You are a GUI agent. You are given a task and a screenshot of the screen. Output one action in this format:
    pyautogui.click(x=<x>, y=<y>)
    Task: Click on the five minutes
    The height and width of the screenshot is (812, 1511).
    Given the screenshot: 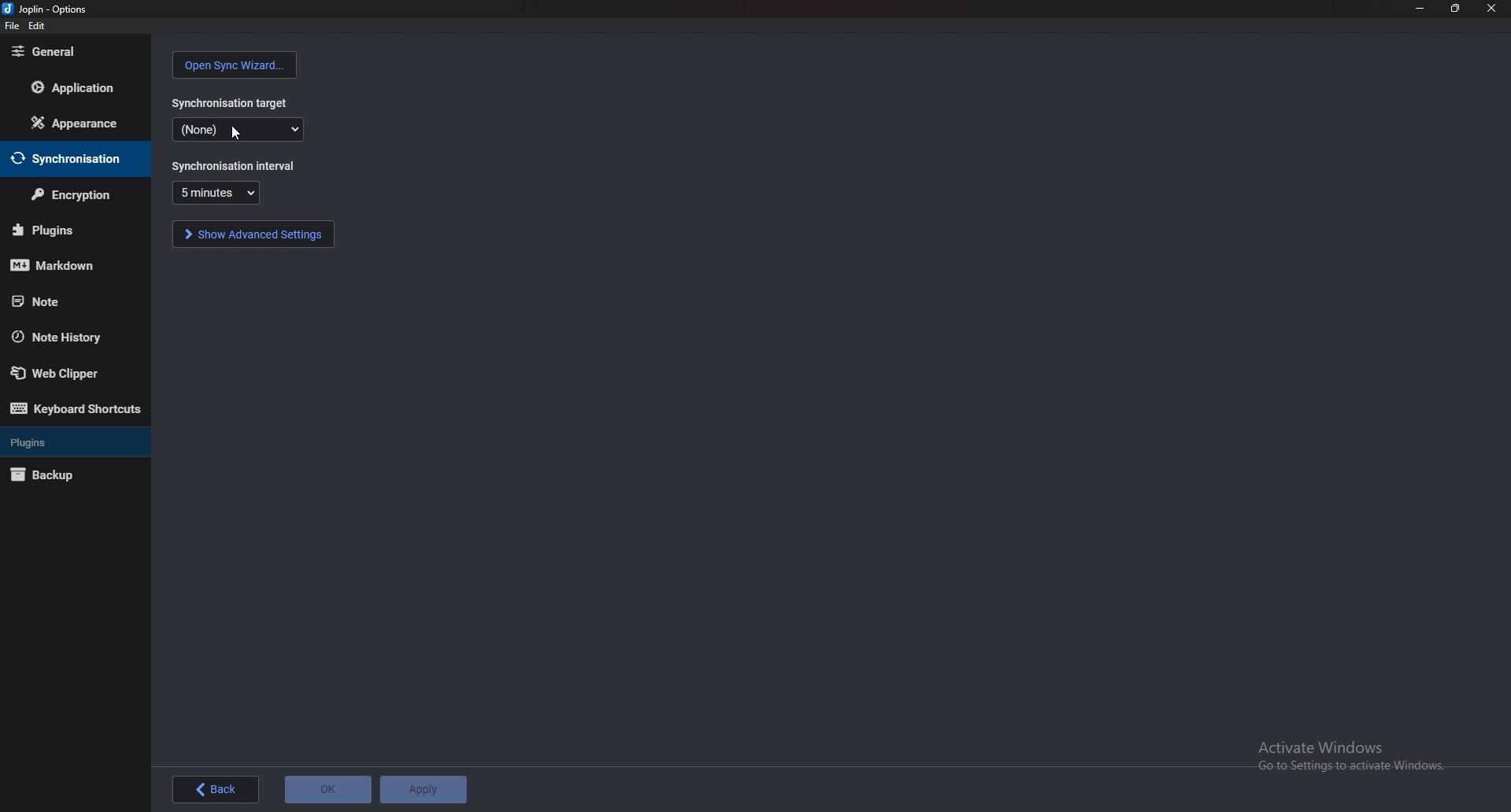 What is the action you would take?
    pyautogui.click(x=216, y=192)
    